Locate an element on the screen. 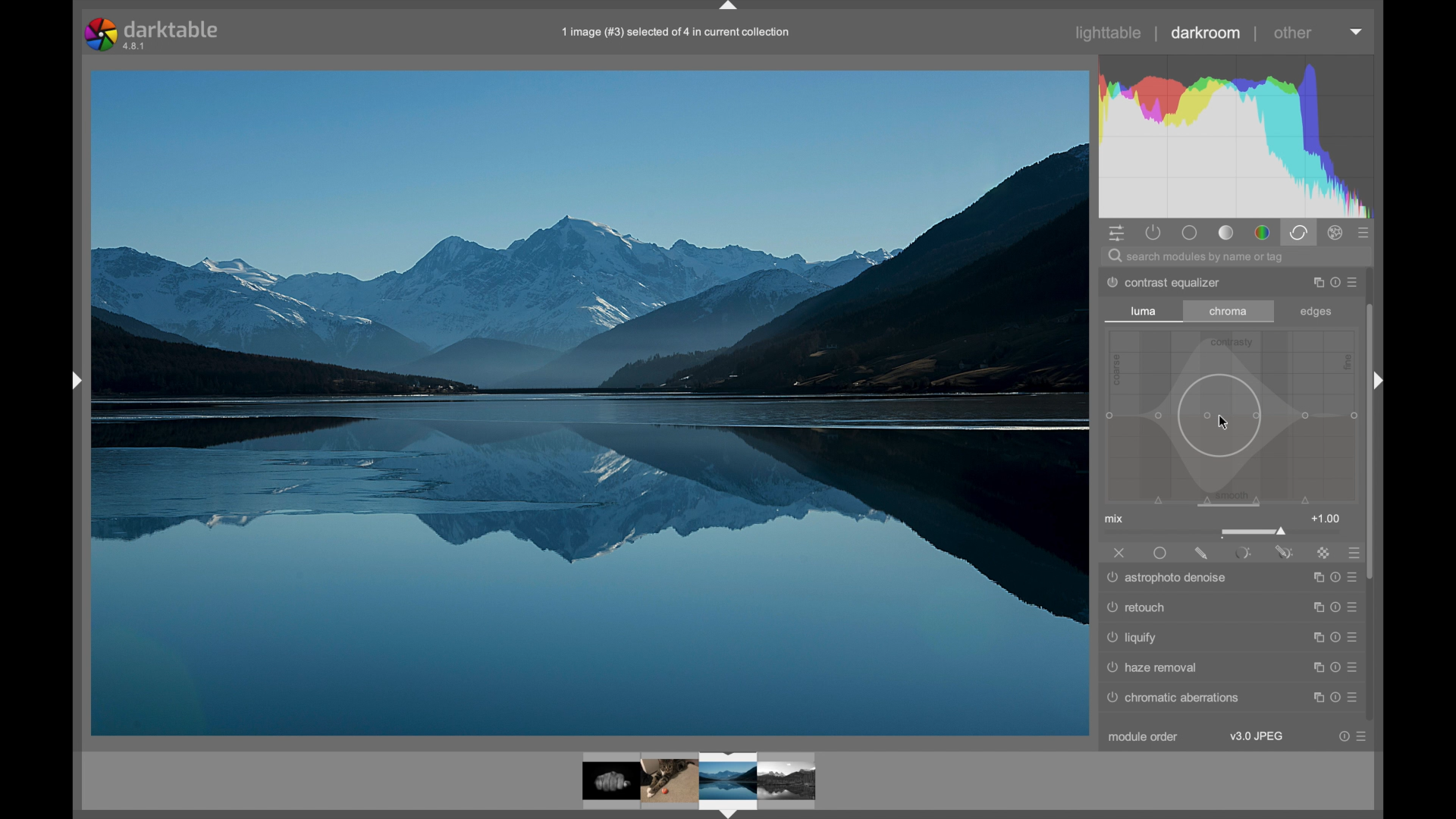 Image resolution: width=1456 pixels, height=819 pixels. denoise is located at coordinates (1161, 637).